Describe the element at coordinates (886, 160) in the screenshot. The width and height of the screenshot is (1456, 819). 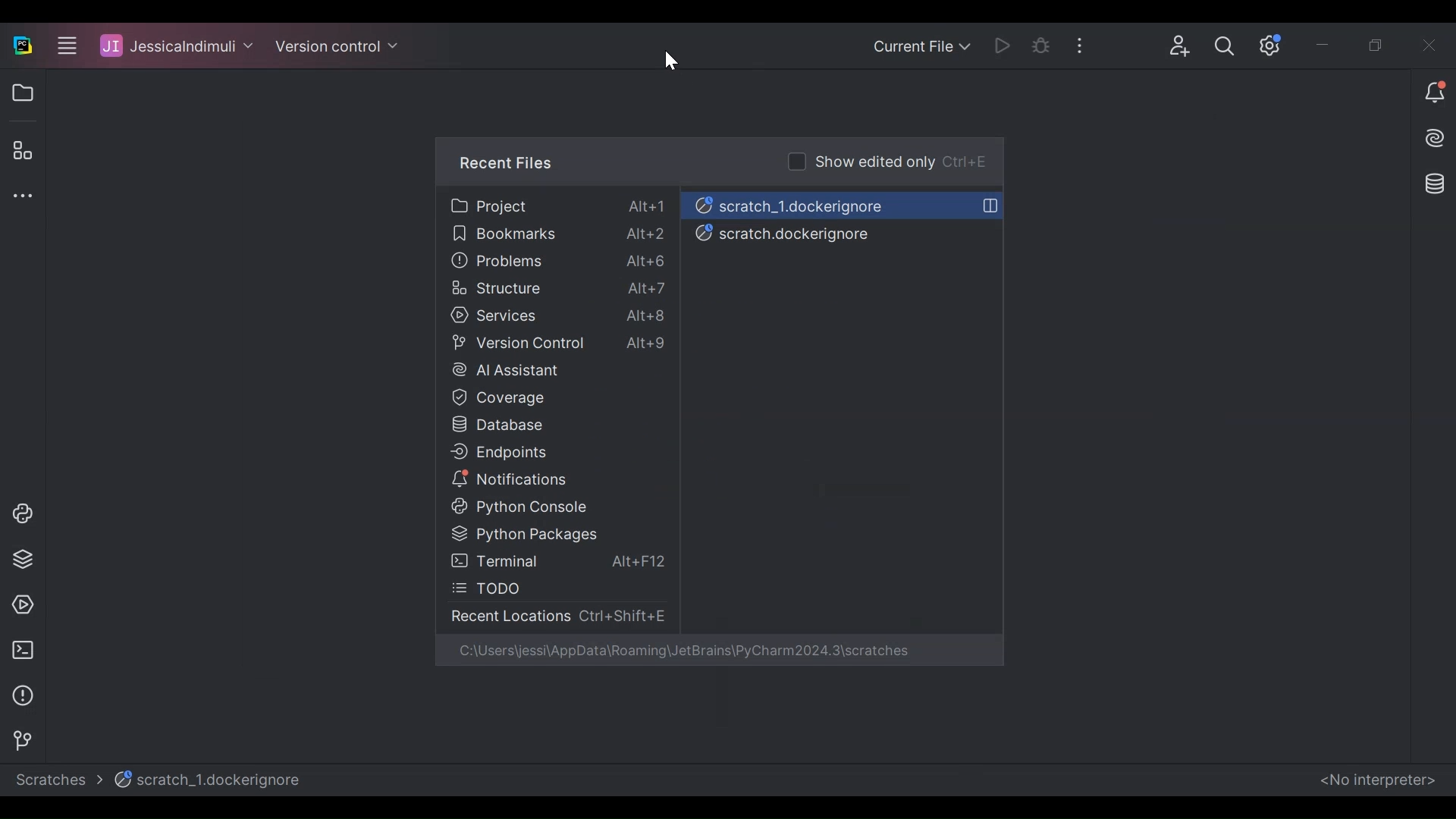
I see `(un)check Sow edited only` at that location.